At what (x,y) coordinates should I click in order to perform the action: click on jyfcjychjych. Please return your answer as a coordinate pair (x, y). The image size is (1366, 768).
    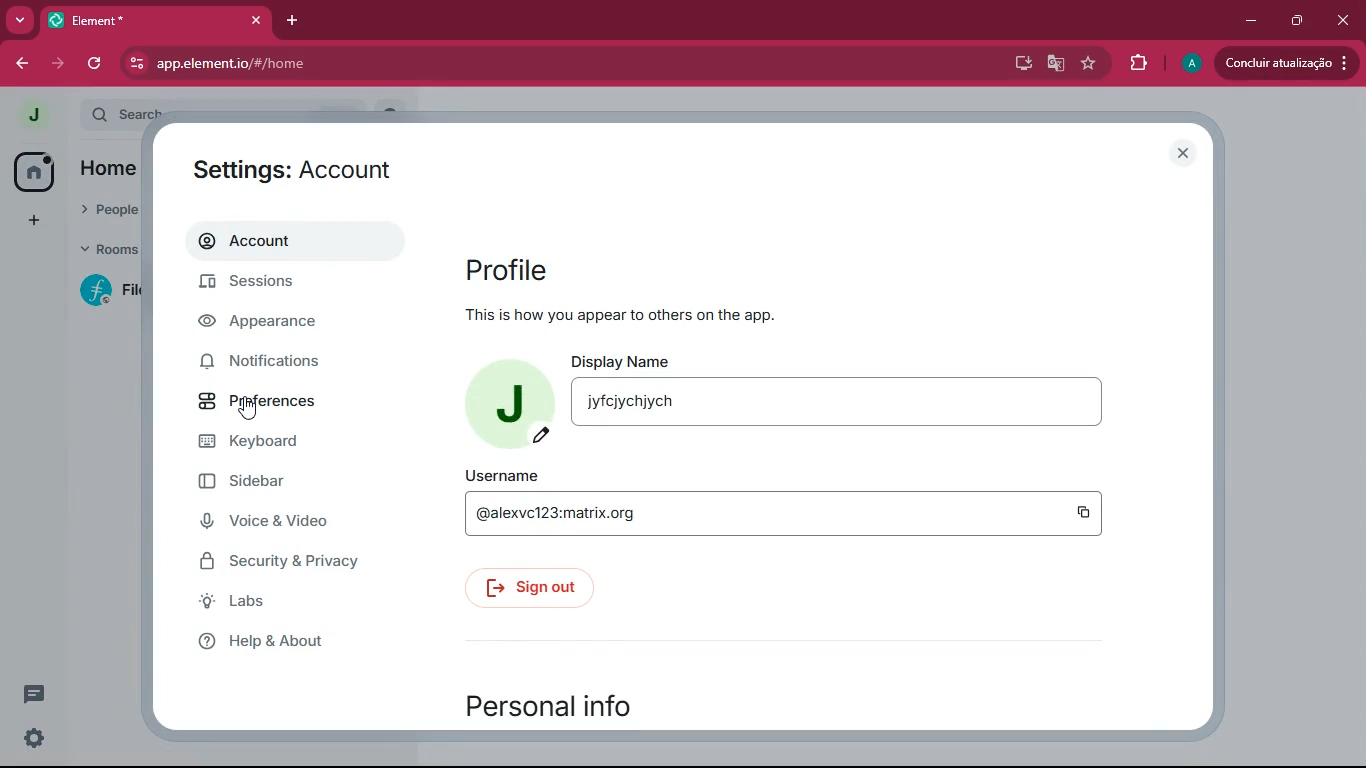
    Looking at the image, I should click on (838, 401).